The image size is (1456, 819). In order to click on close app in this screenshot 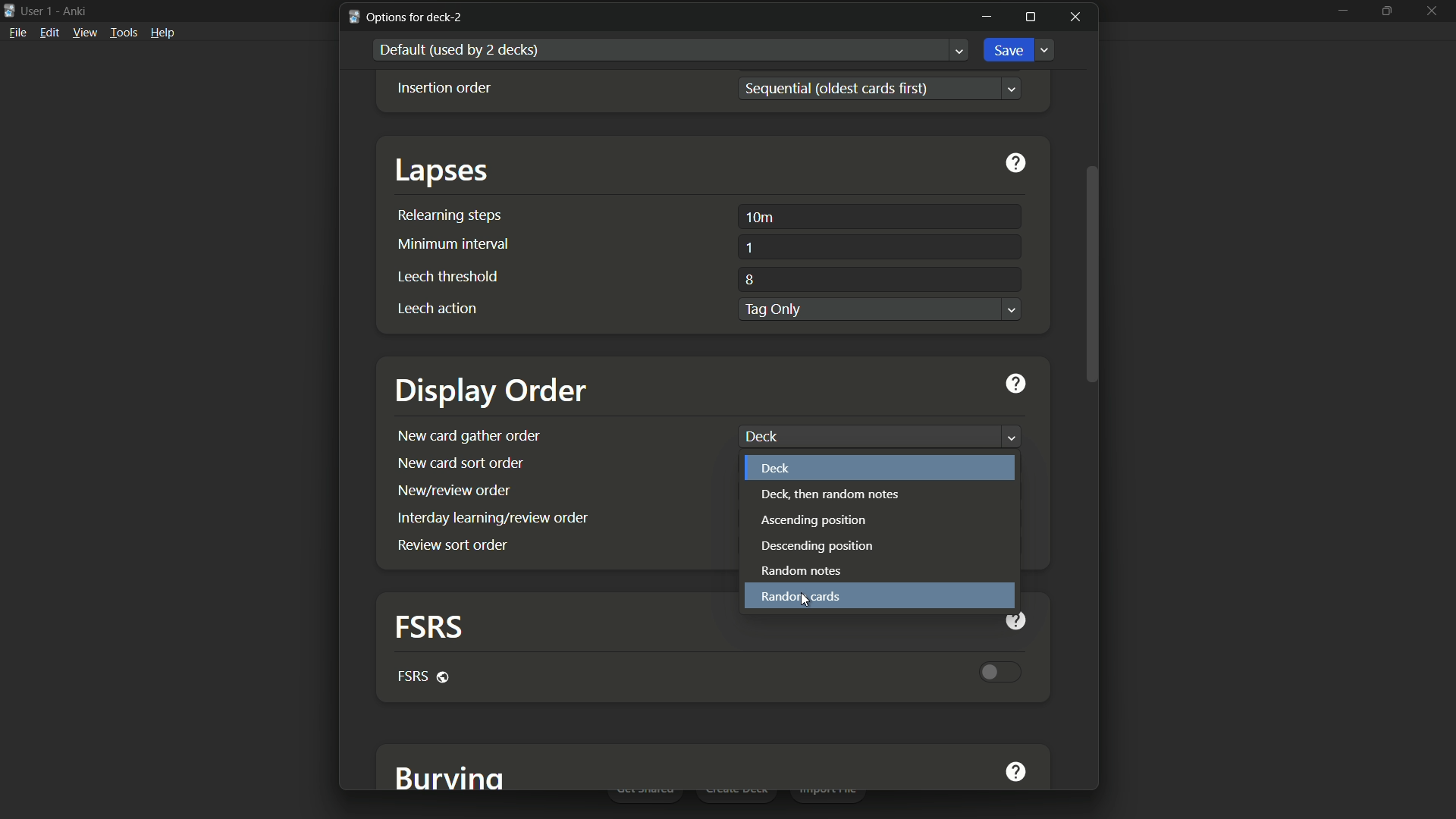, I will do `click(1436, 10)`.